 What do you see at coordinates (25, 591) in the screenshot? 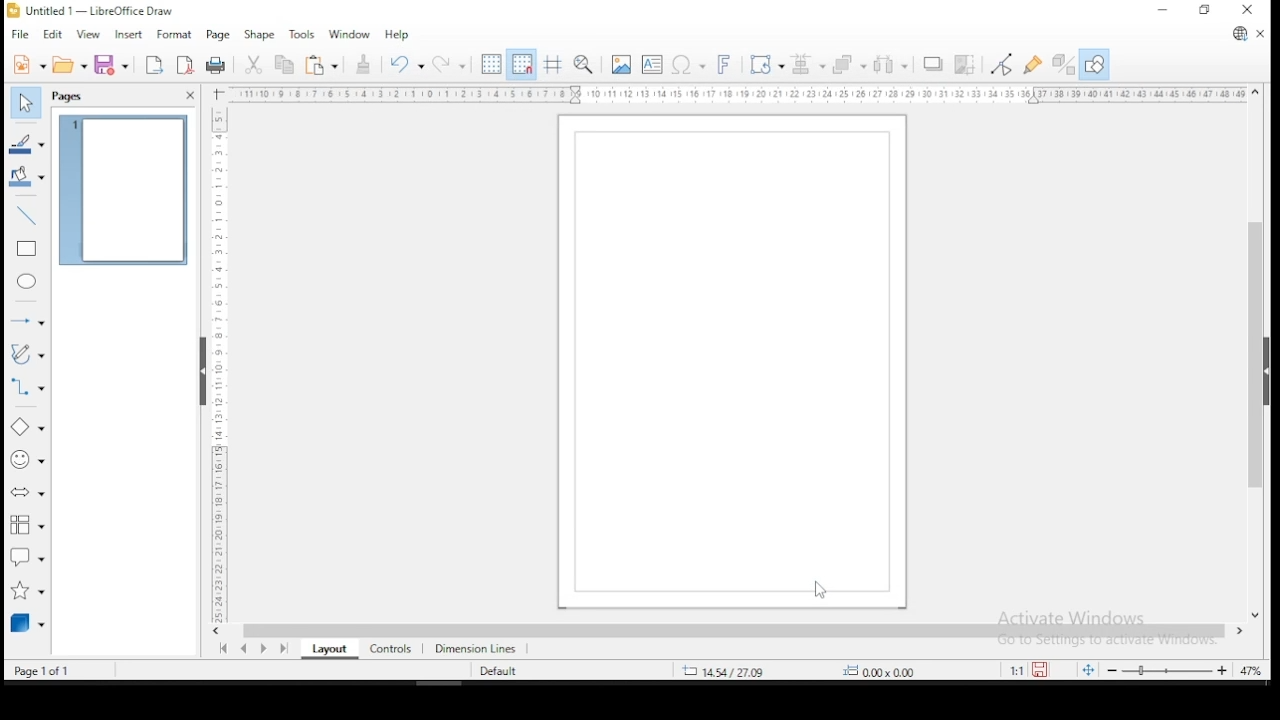
I see `stars and banners` at bounding box center [25, 591].